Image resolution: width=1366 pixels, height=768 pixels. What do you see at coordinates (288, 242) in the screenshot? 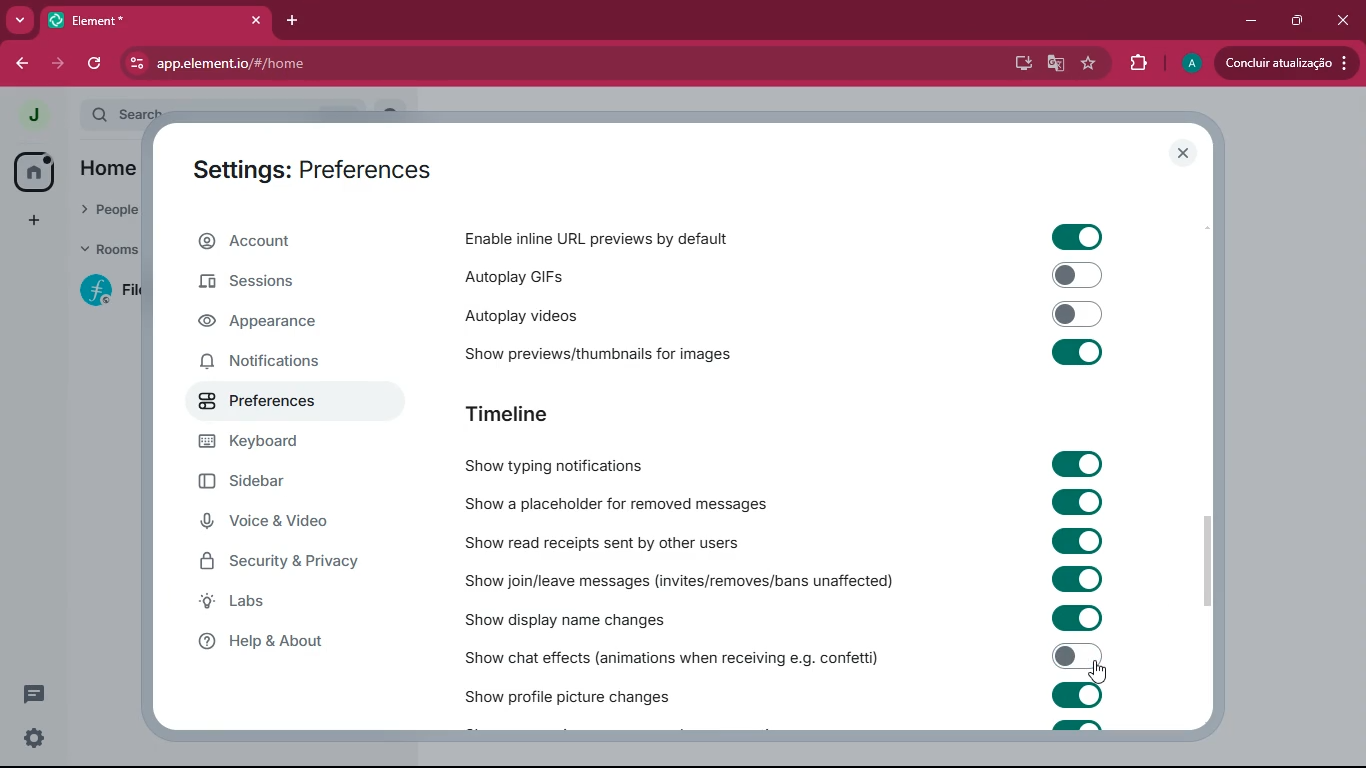
I see `account` at bounding box center [288, 242].